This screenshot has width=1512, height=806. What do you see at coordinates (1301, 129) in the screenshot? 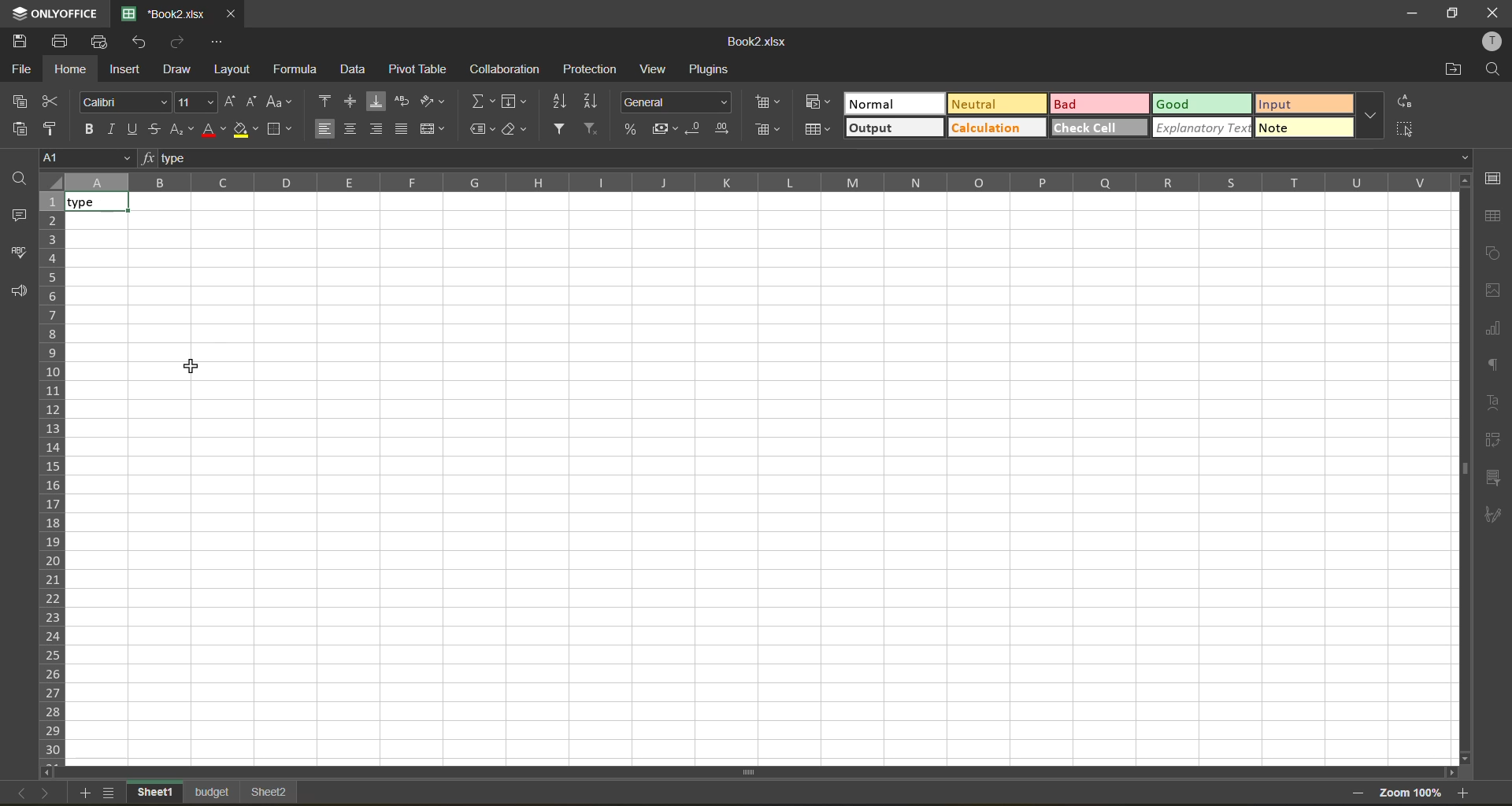
I see `more` at bounding box center [1301, 129].